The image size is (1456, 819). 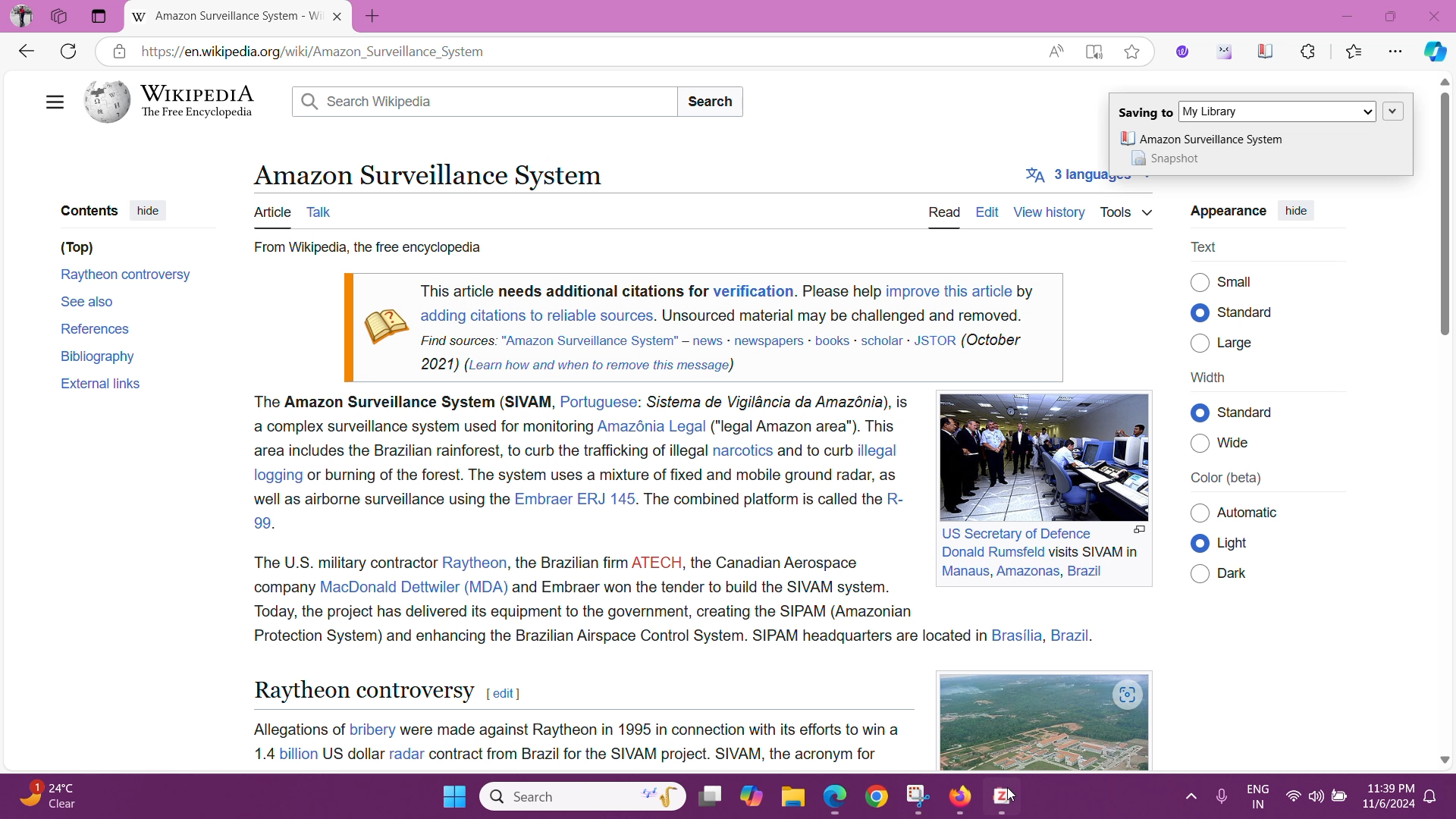 What do you see at coordinates (793, 797) in the screenshot?
I see `files` at bounding box center [793, 797].